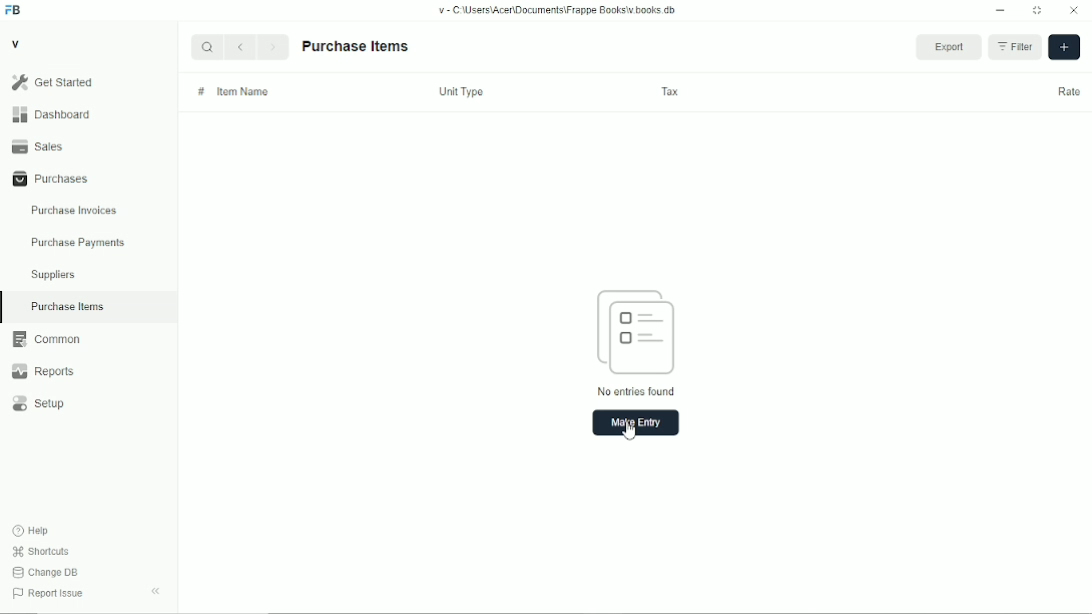  I want to click on cursor, so click(629, 430).